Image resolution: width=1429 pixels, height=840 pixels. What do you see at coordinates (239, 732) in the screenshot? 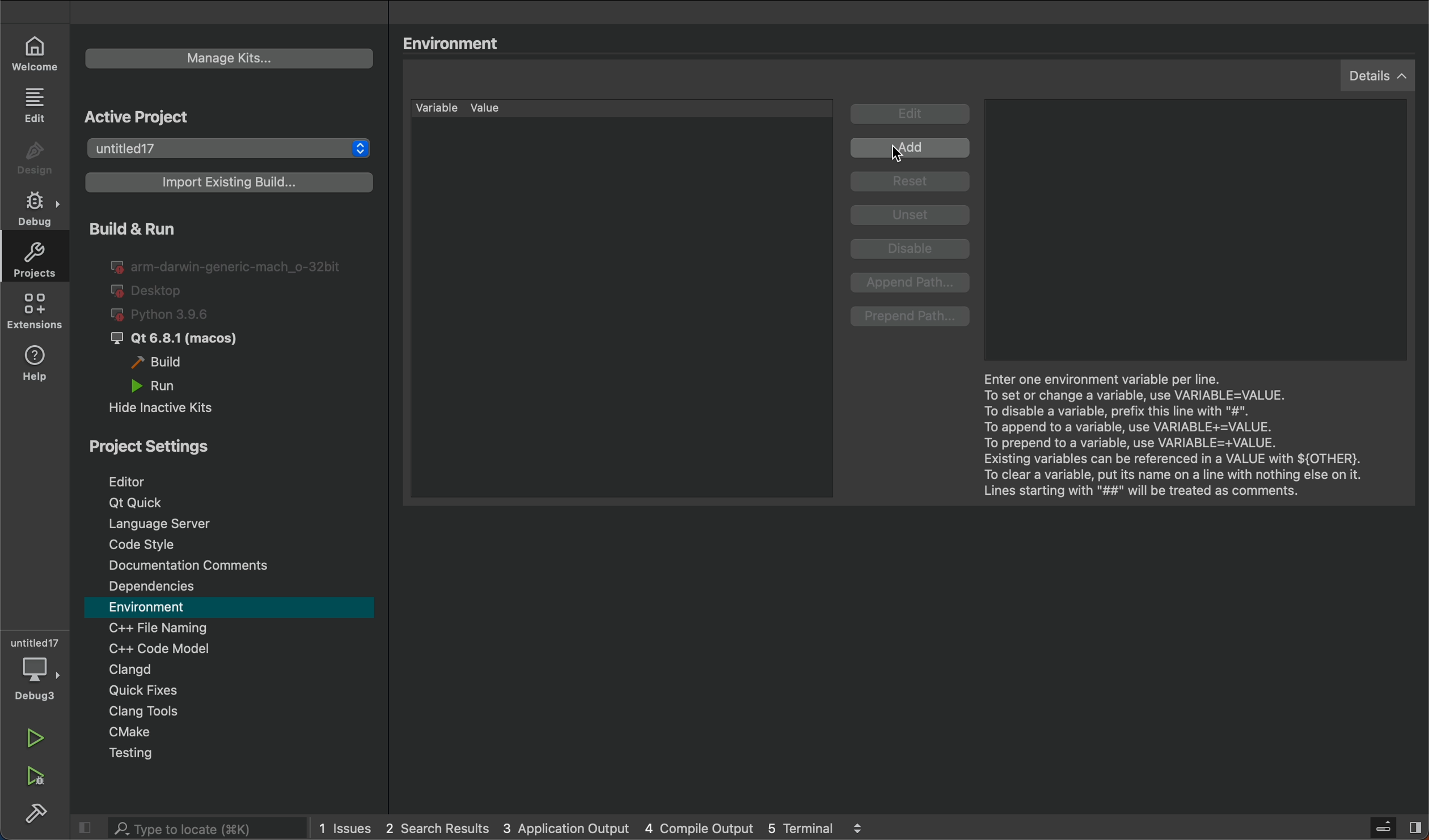
I see `cmake` at bounding box center [239, 732].